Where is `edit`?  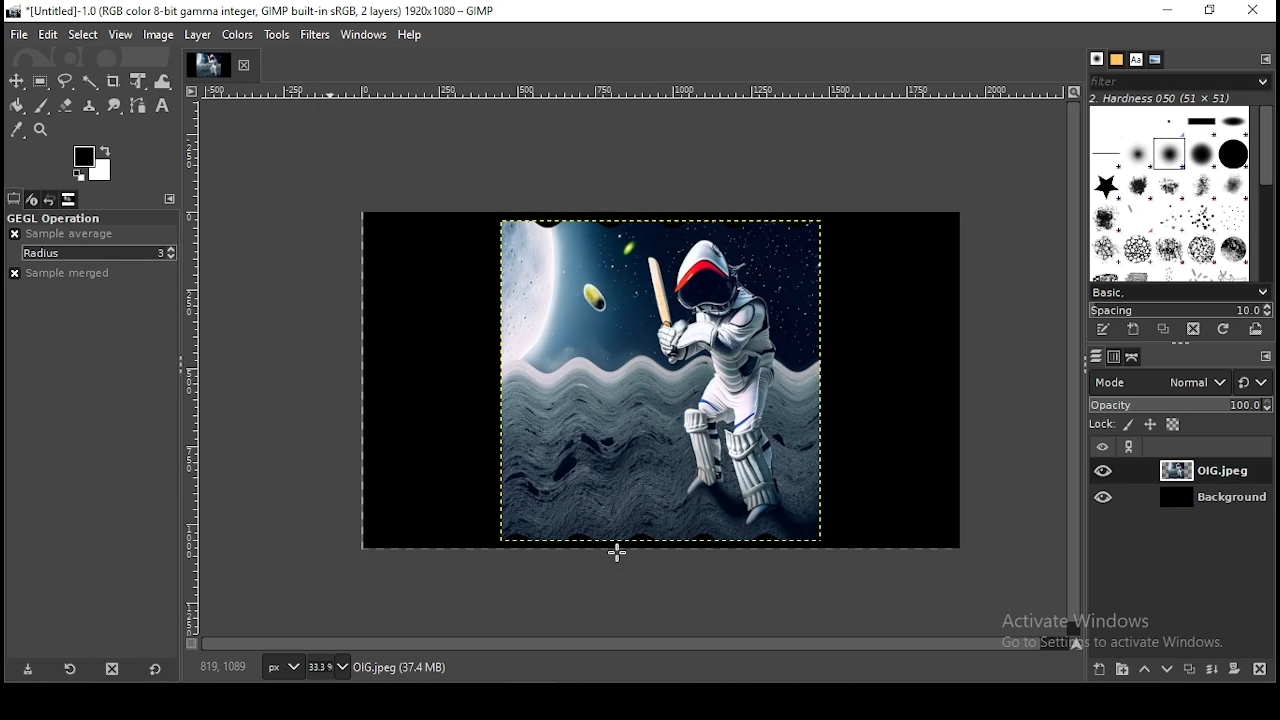
edit is located at coordinates (48, 34).